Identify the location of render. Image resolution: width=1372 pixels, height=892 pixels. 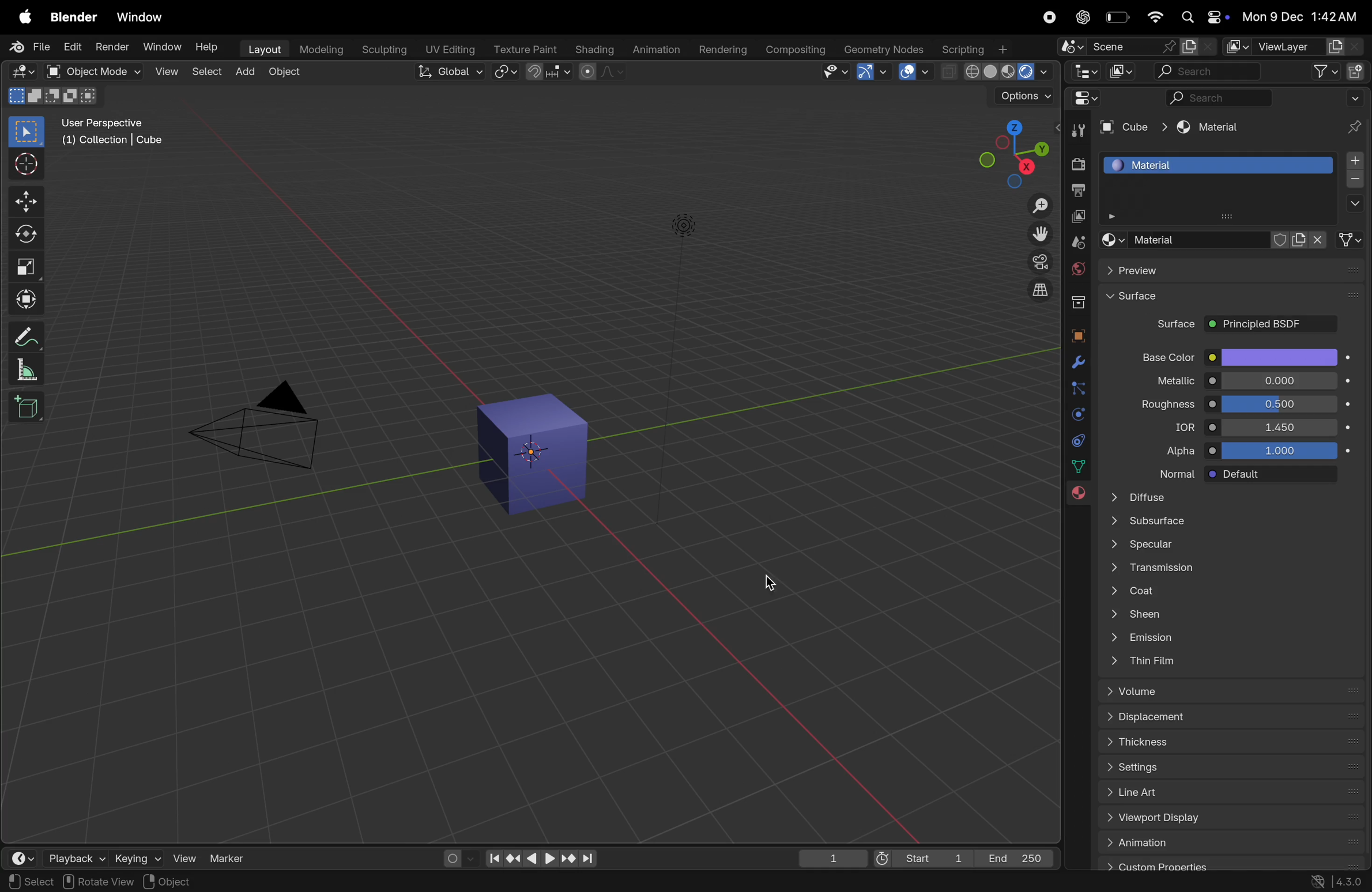
(1075, 165).